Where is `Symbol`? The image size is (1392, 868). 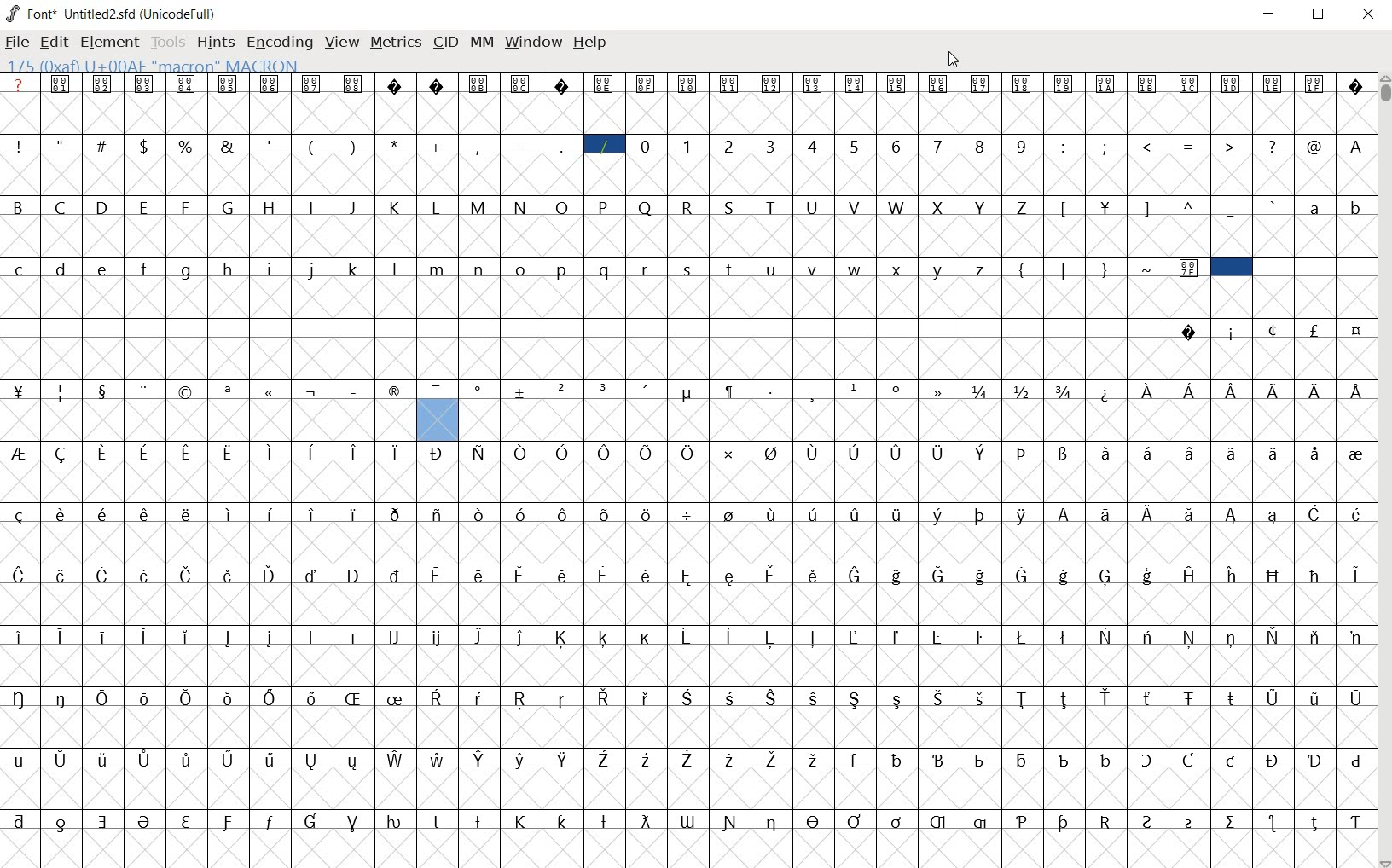 Symbol is located at coordinates (438, 575).